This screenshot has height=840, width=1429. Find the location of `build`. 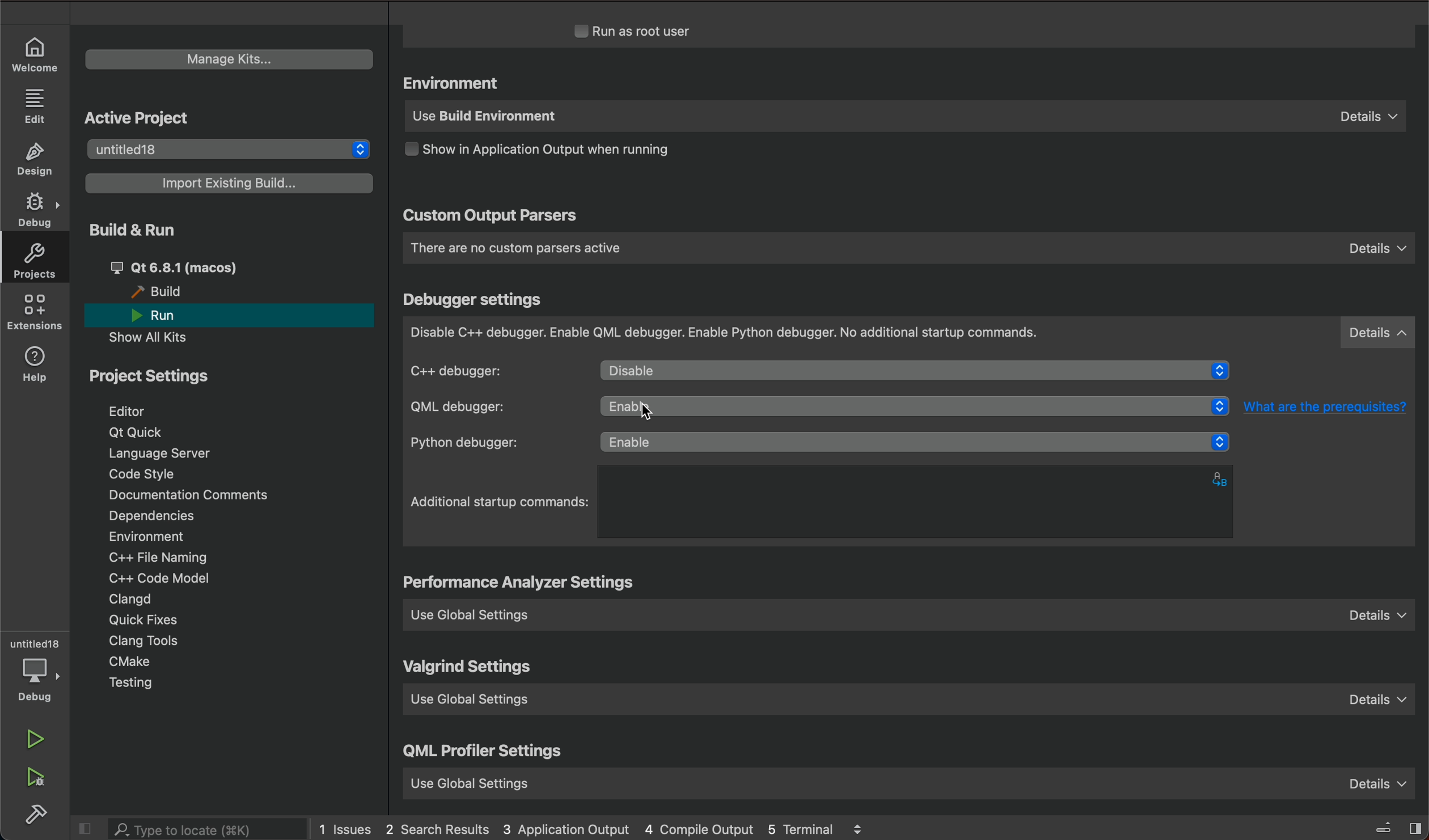

build is located at coordinates (38, 814).